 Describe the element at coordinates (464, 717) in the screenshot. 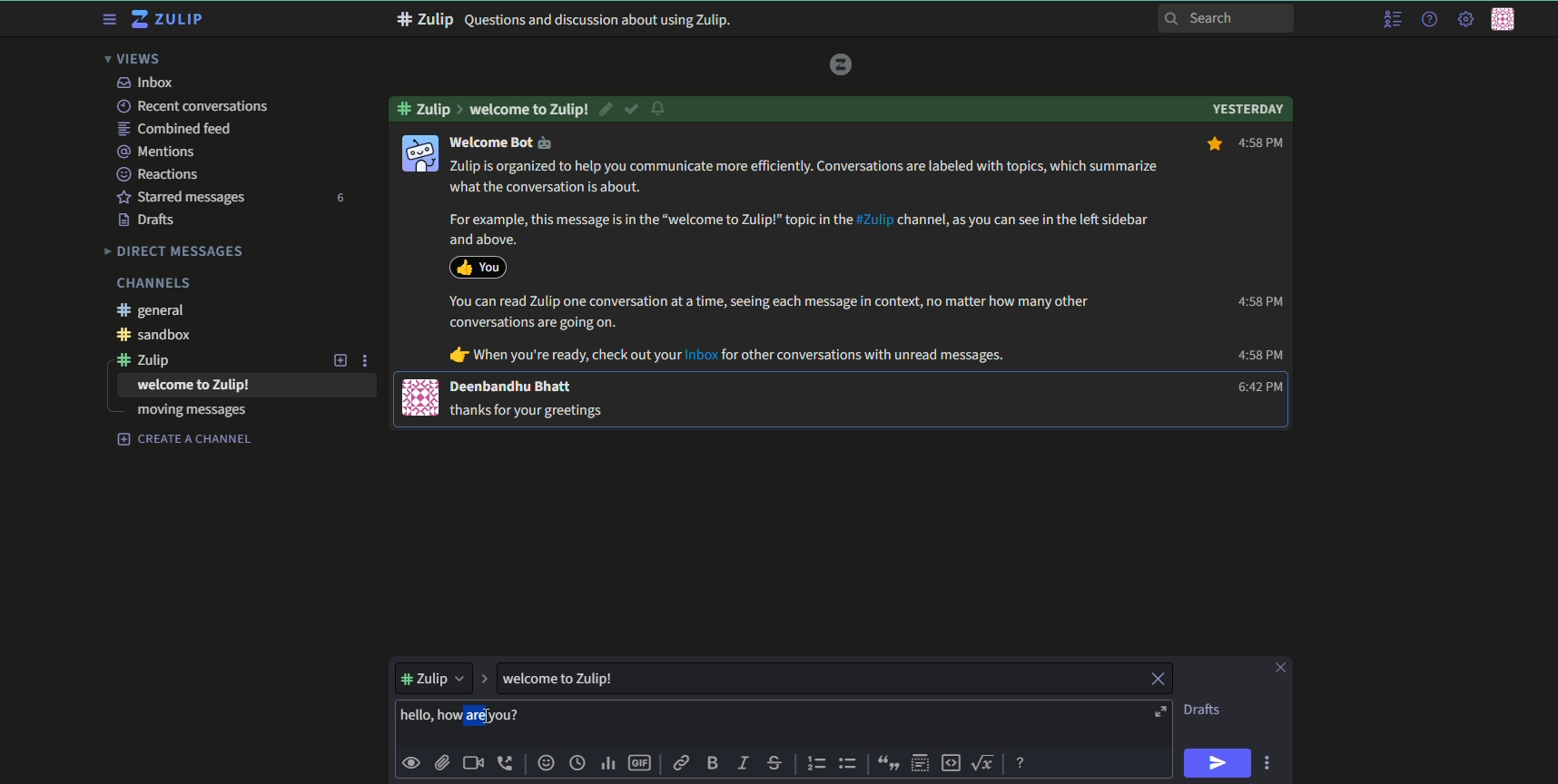

I see `highlighted text` at that location.